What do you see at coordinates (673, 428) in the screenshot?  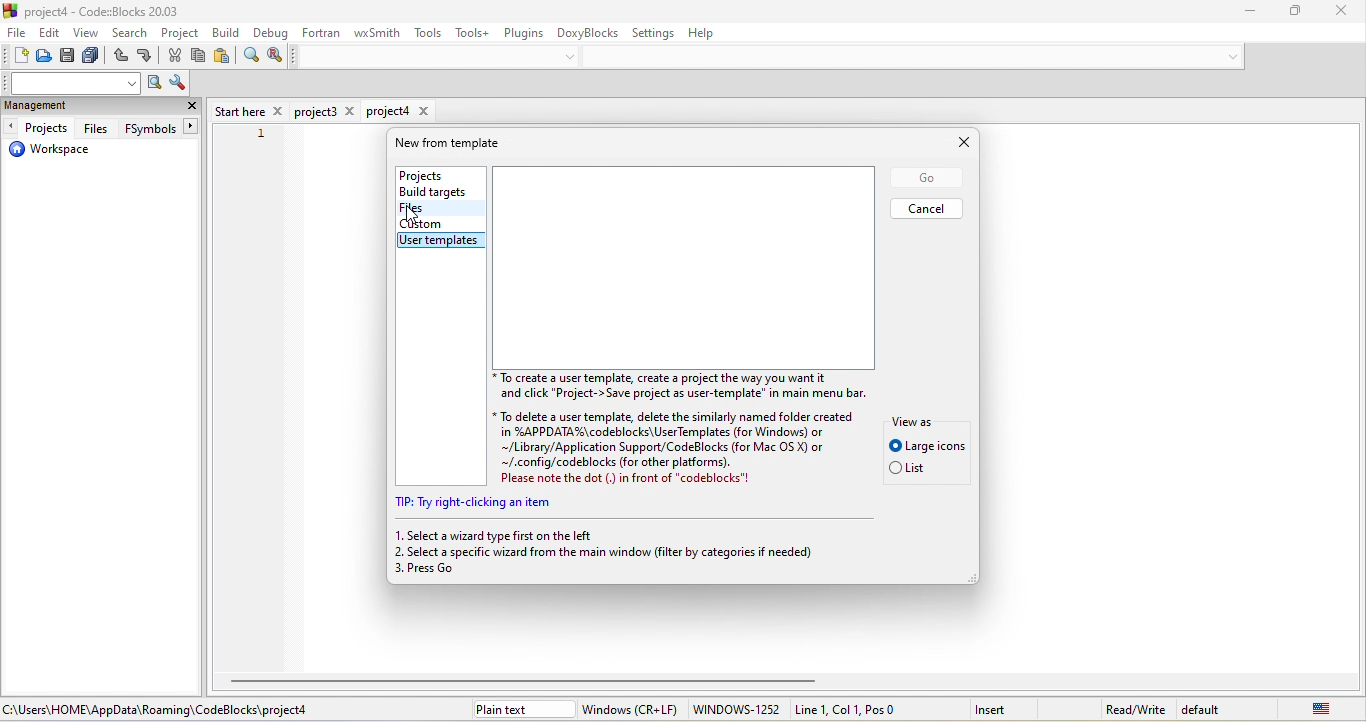 I see `text on user template` at bounding box center [673, 428].